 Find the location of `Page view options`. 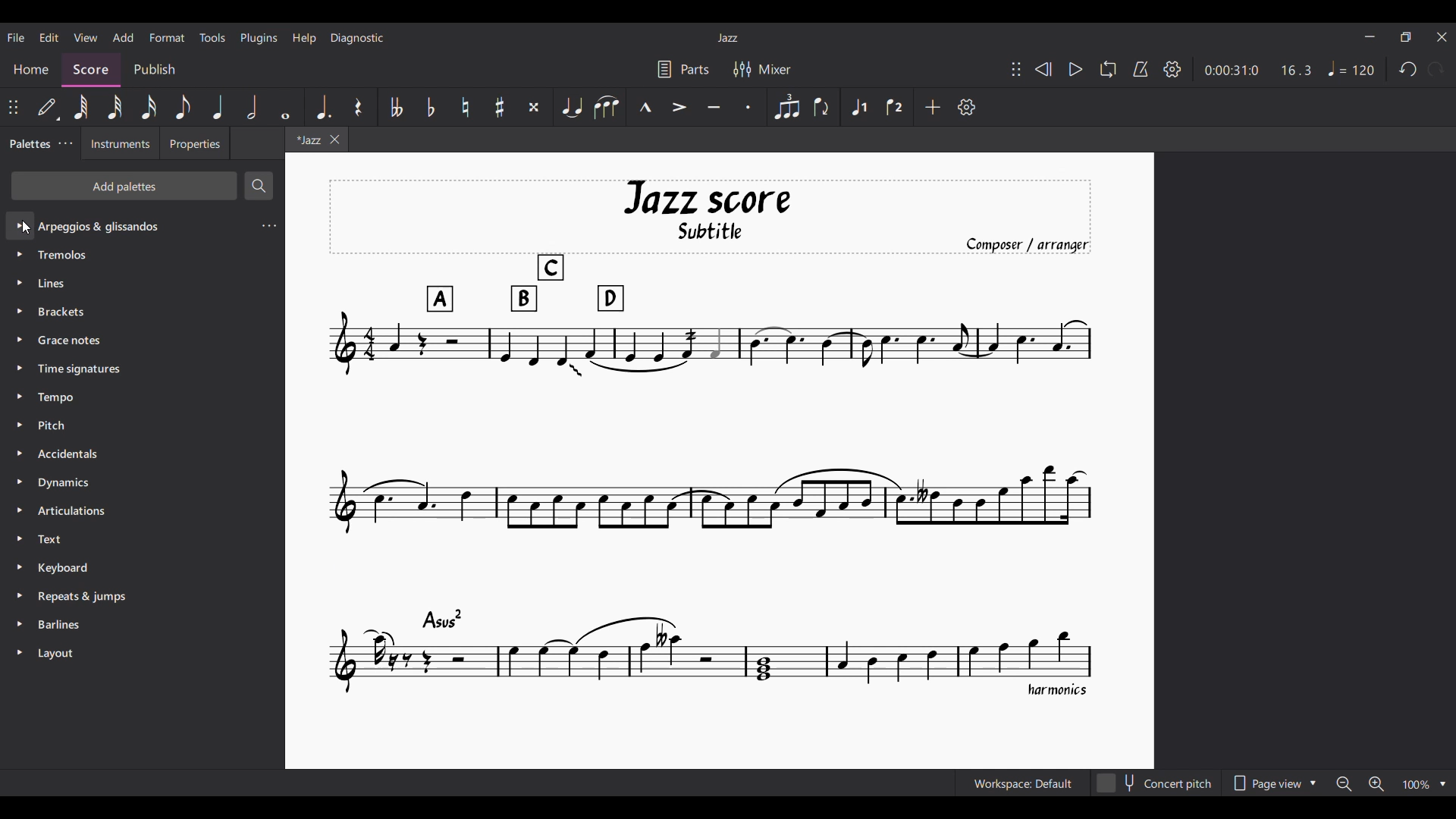

Page view options is located at coordinates (1276, 783).